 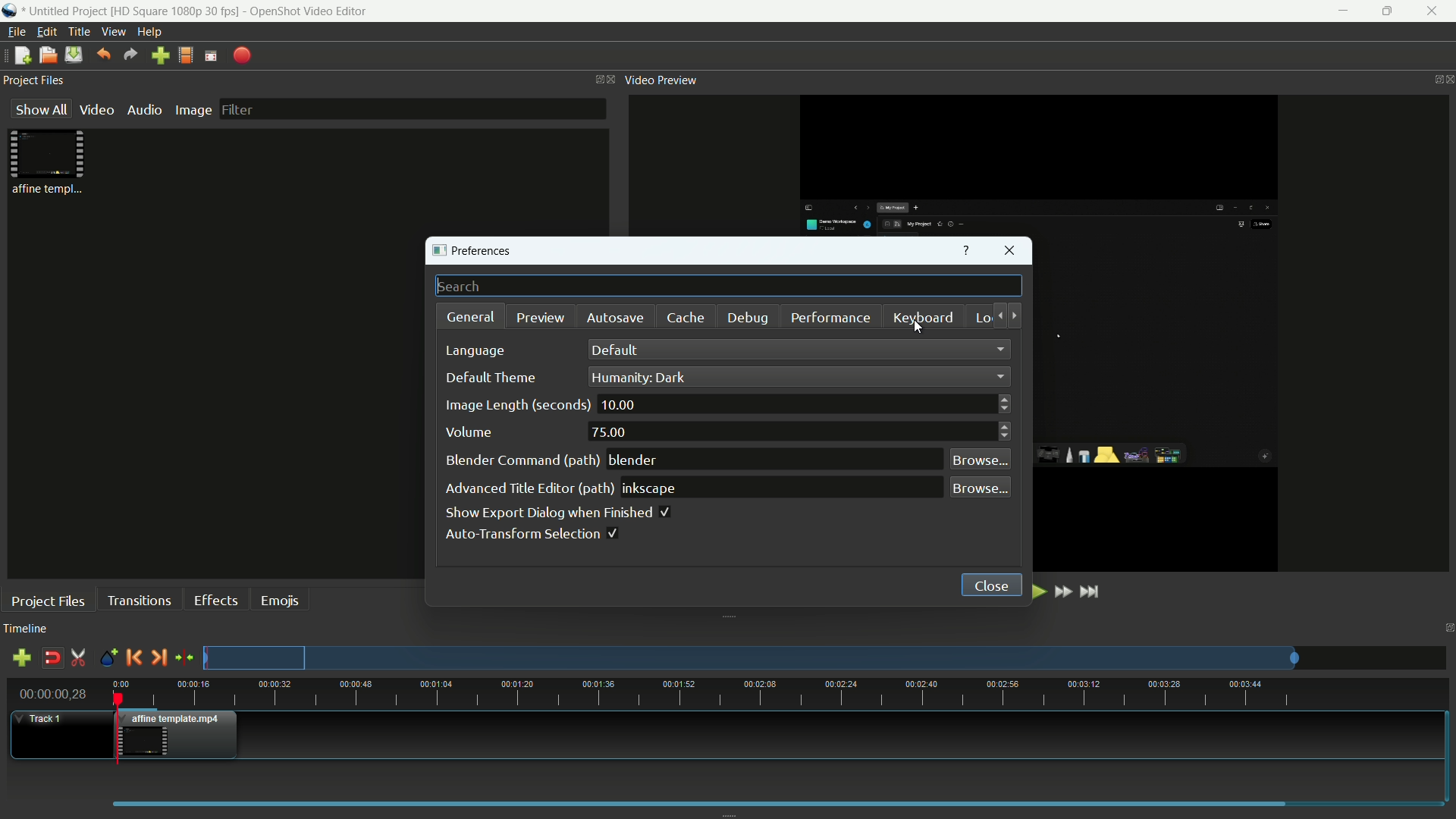 I want to click on image, so click(x=193, y=110).